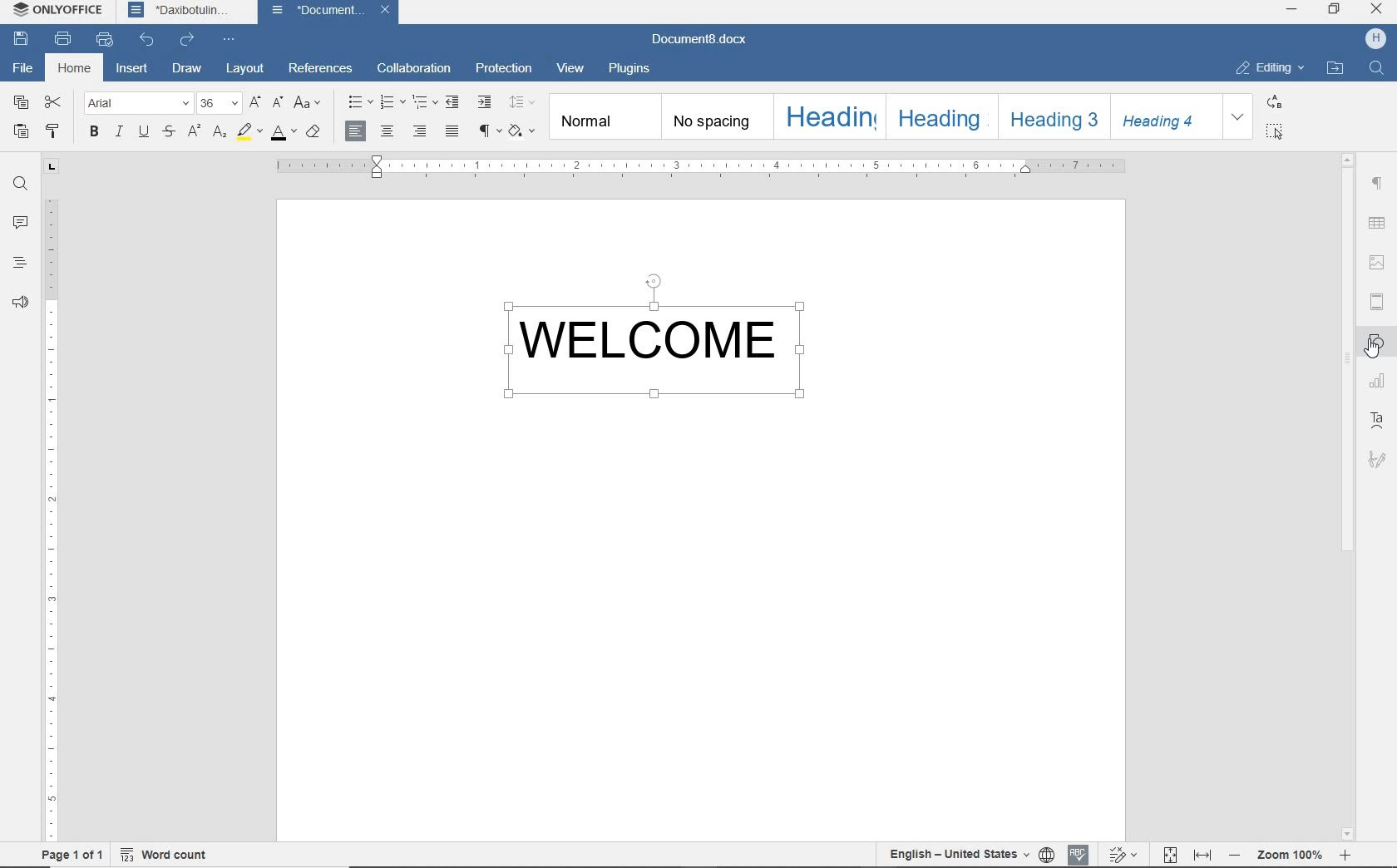  I want to click on REDO, so click(188, 39).